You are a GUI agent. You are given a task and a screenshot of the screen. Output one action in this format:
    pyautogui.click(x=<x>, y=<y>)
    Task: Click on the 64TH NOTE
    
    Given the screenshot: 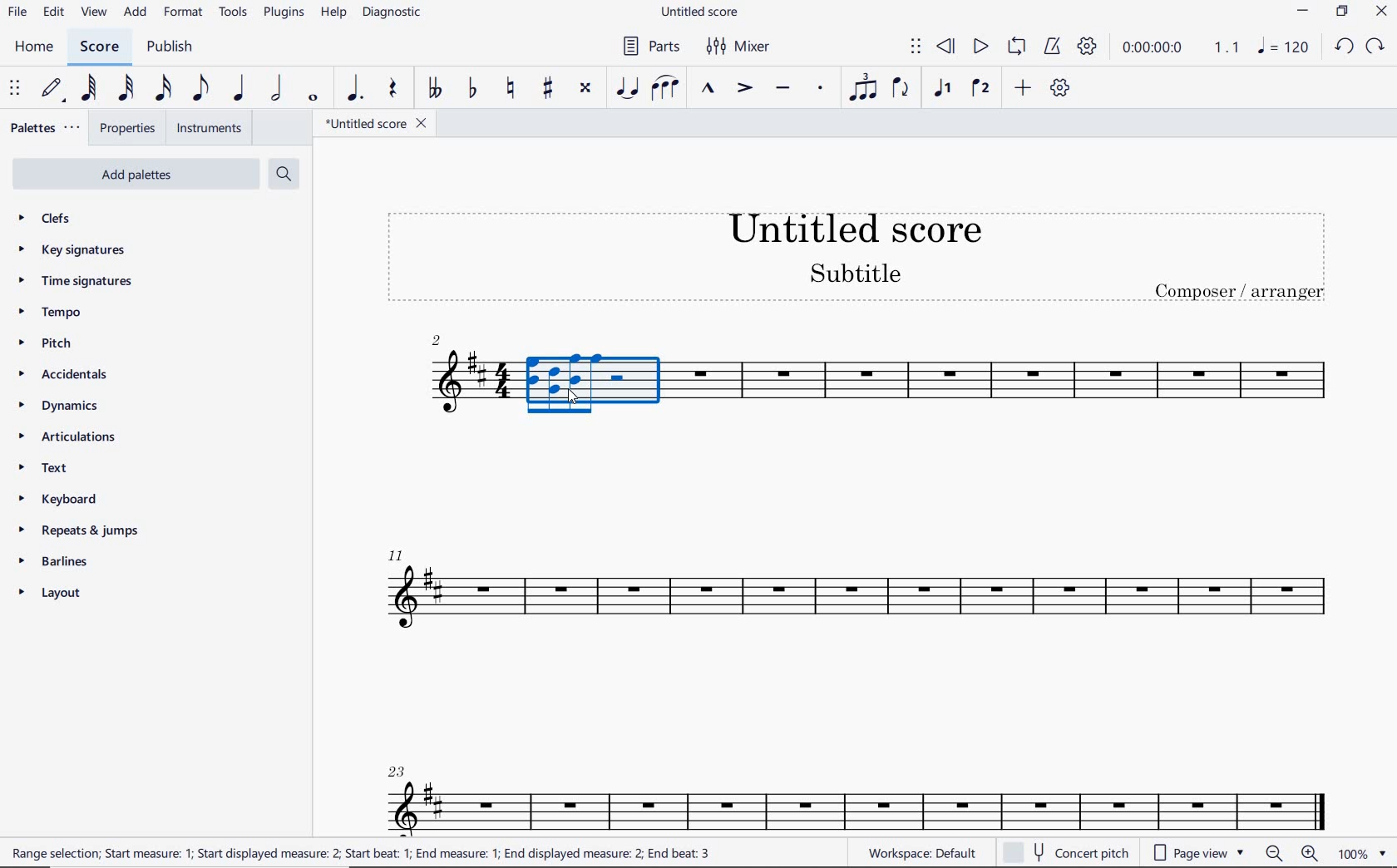 What is the action you would take?
    pyautogui.click(x=91, y=89)
    